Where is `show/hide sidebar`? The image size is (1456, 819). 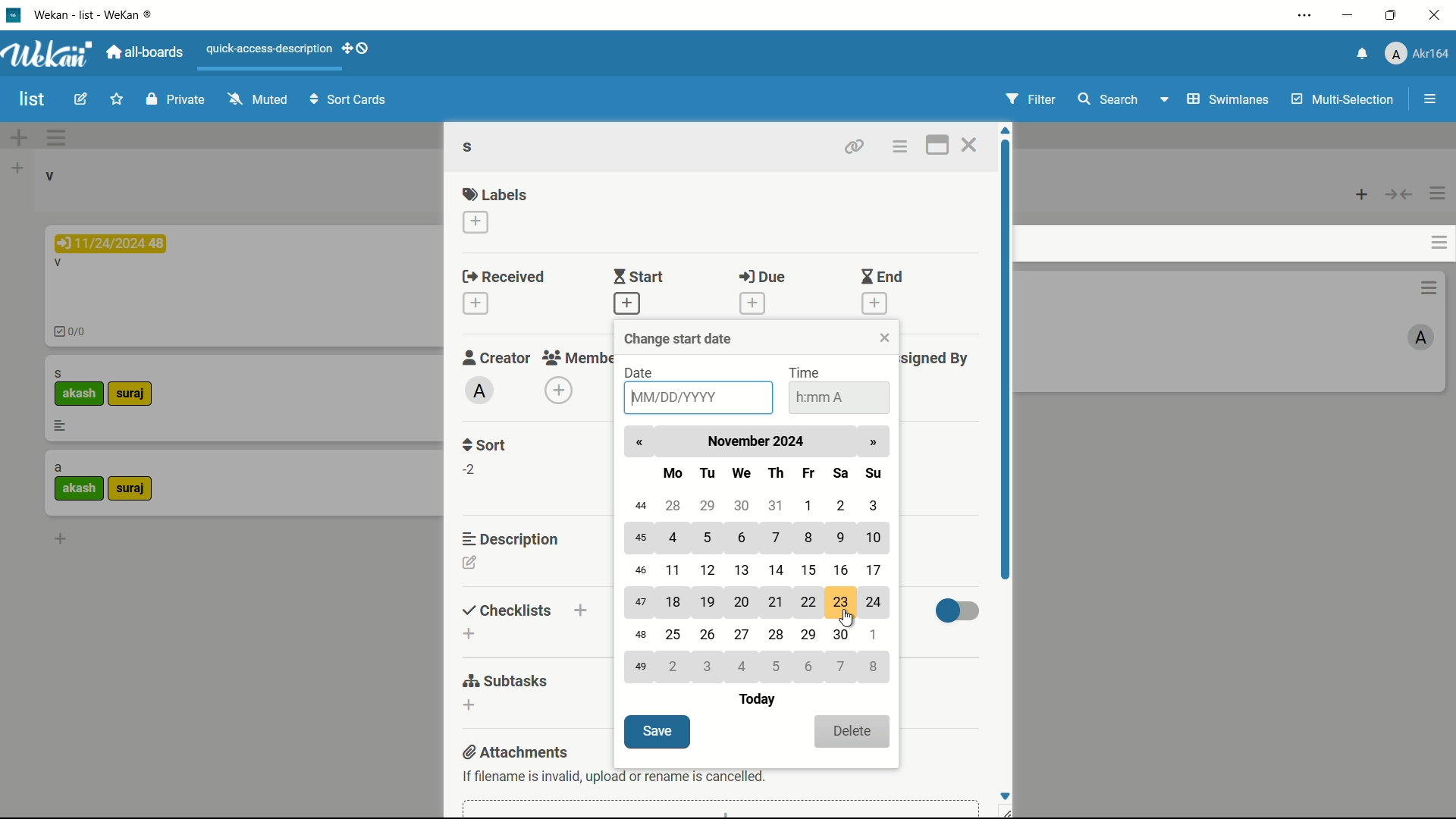 show/hide sidebar is located at coordinates (1431, 99).